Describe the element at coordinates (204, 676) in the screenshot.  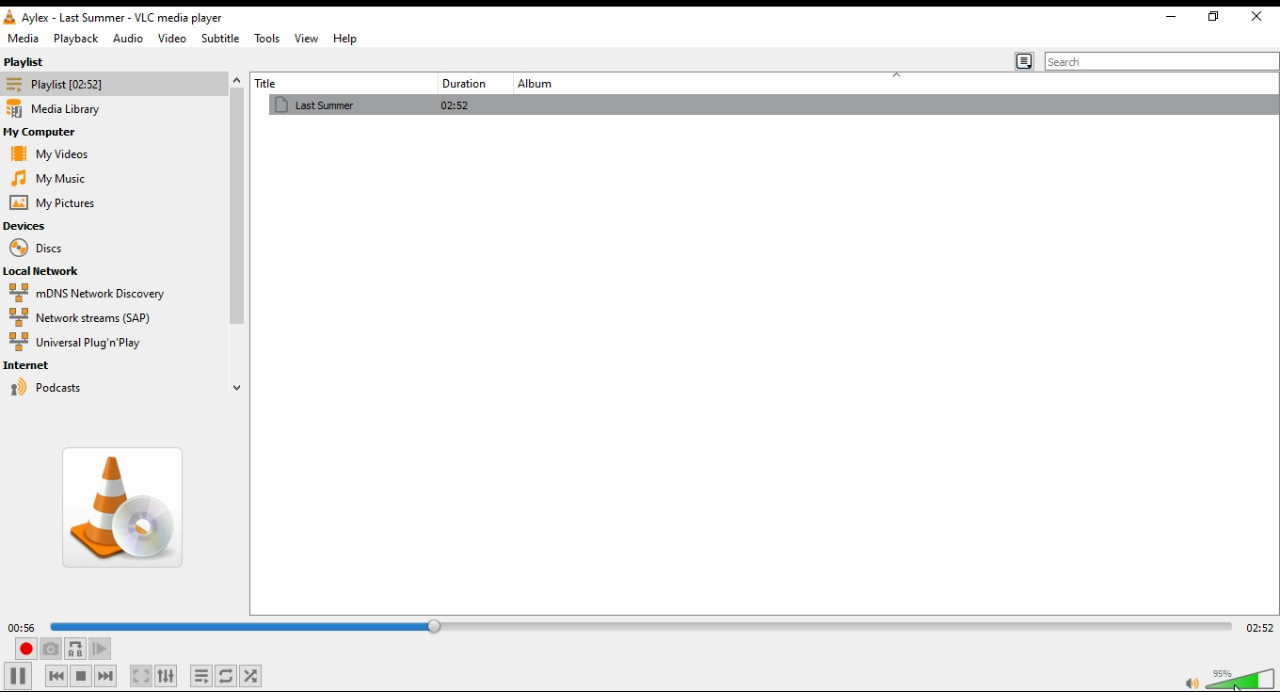
I see `toggle playlist` at that location.